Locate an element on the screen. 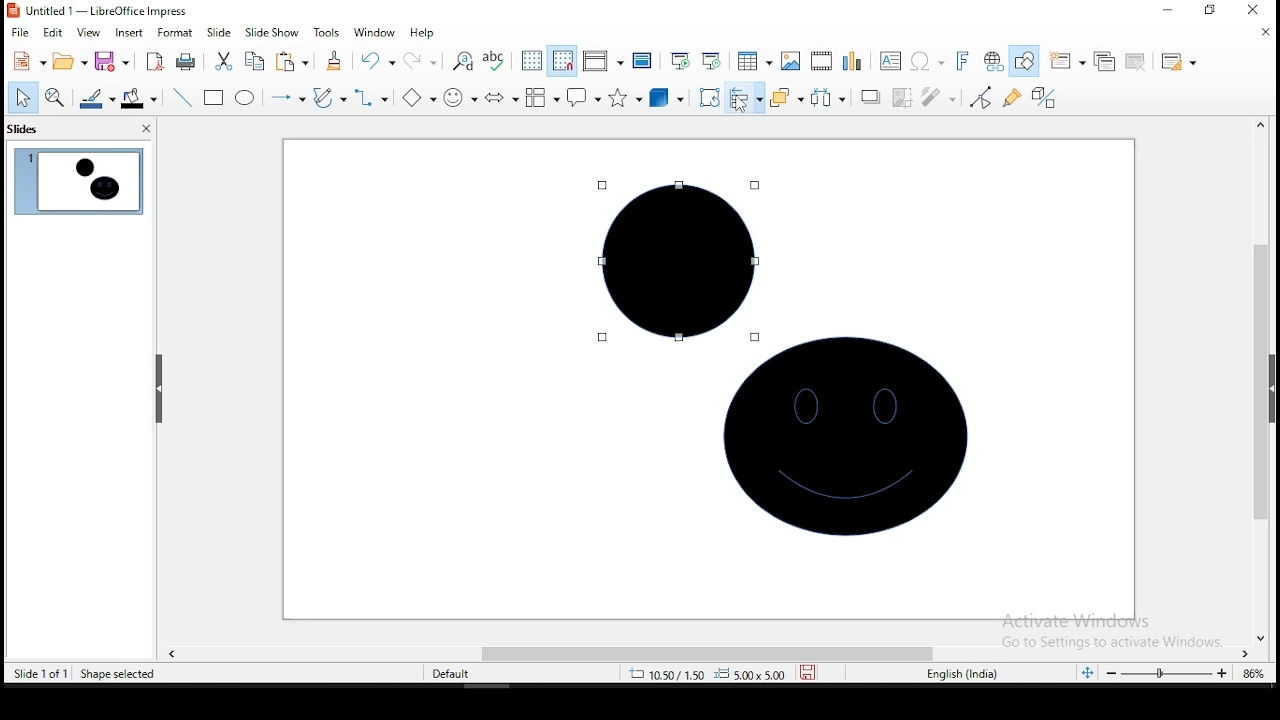 Image resolution: width=1280 pixels, height=720 pixels. show draw functions is located at coordinates (1028, 61).